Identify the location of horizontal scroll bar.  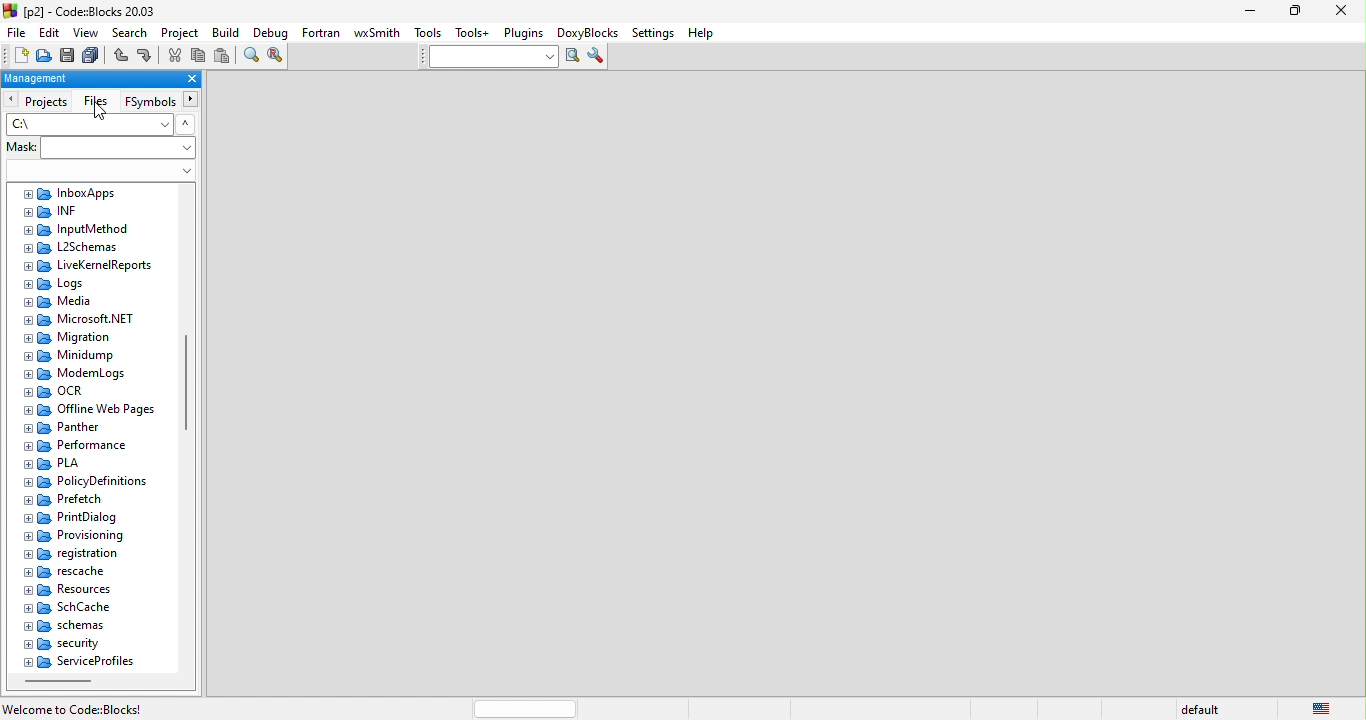
(522, 708).